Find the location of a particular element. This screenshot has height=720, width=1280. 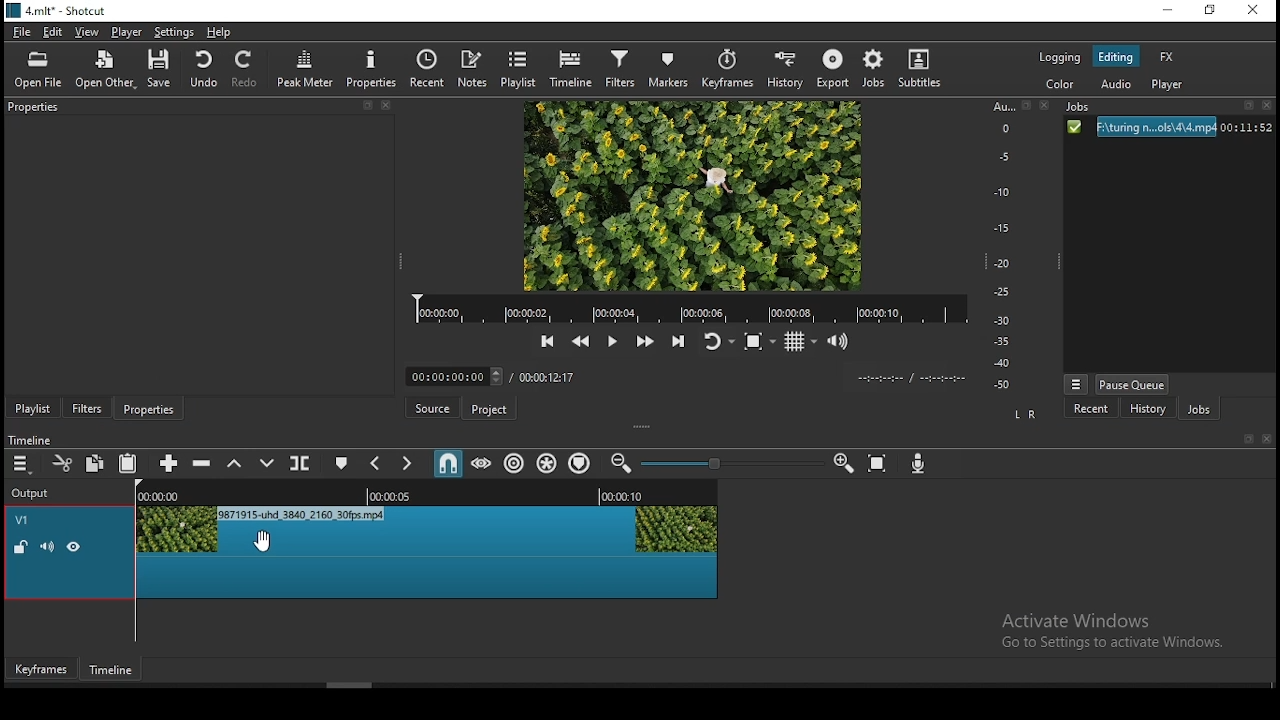

keyframes is located at coordinates (42, 671).